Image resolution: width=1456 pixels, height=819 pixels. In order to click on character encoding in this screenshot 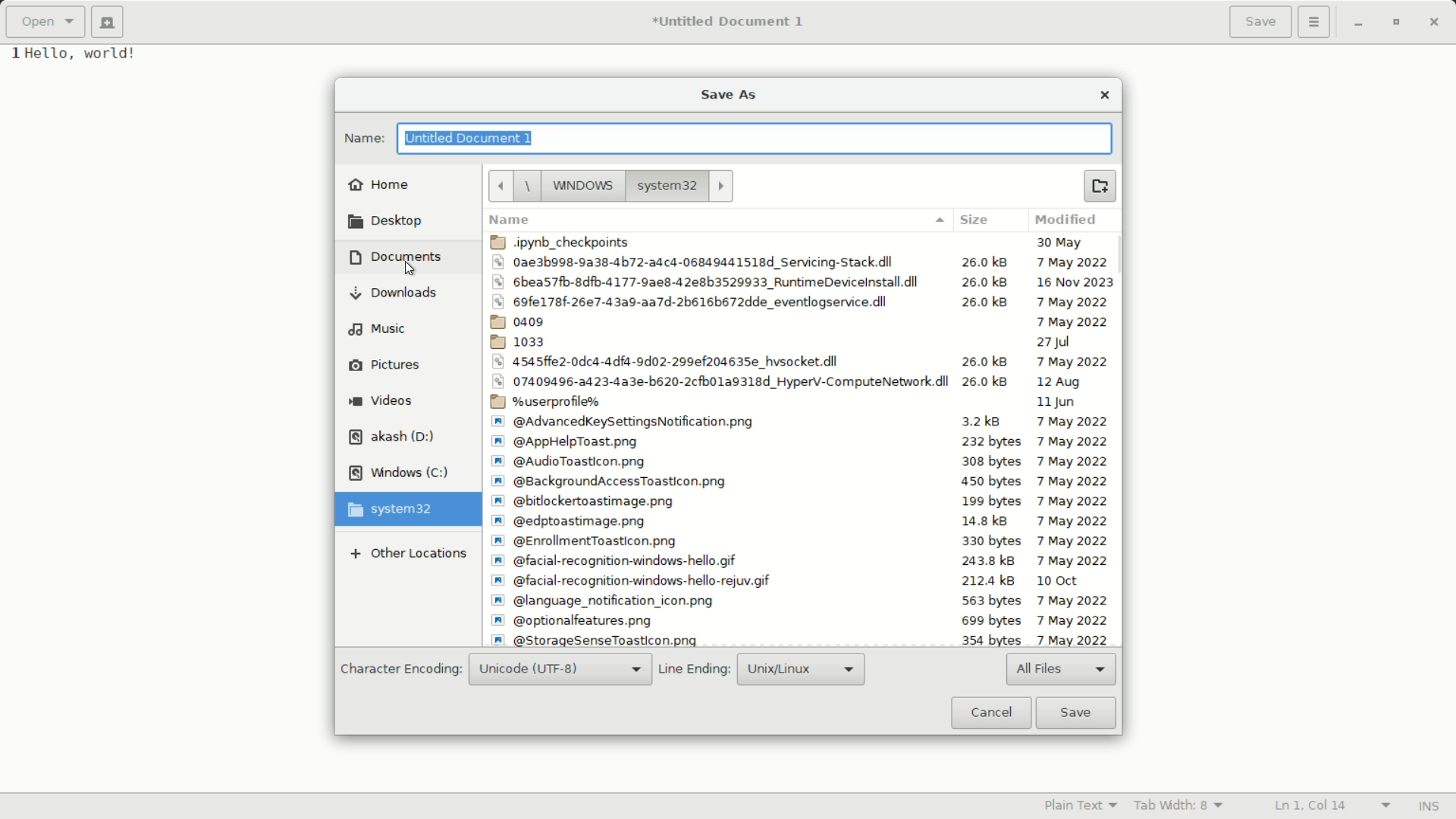, I will do `click(399, 670)`.